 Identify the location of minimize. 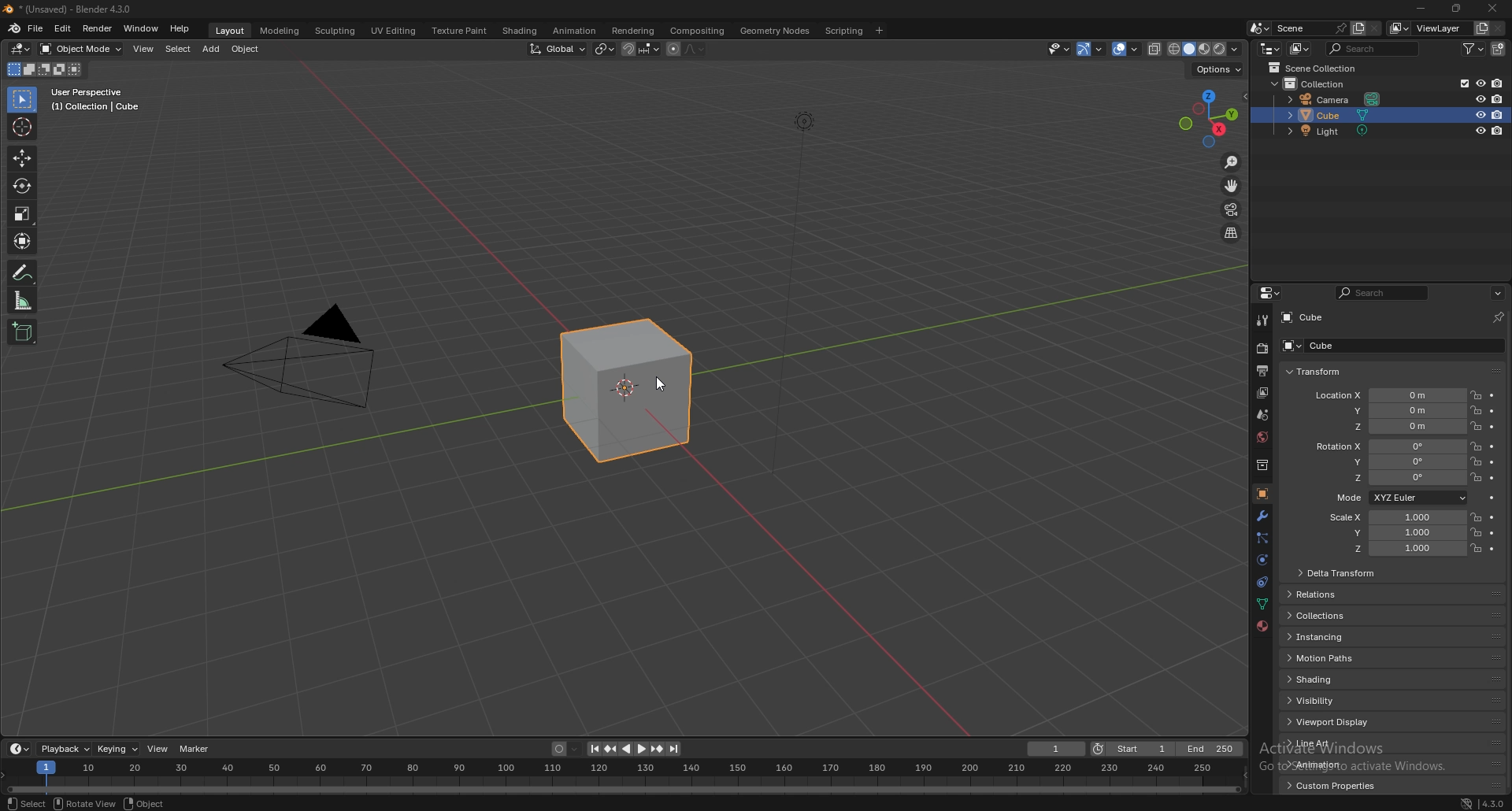
(1421, 7).